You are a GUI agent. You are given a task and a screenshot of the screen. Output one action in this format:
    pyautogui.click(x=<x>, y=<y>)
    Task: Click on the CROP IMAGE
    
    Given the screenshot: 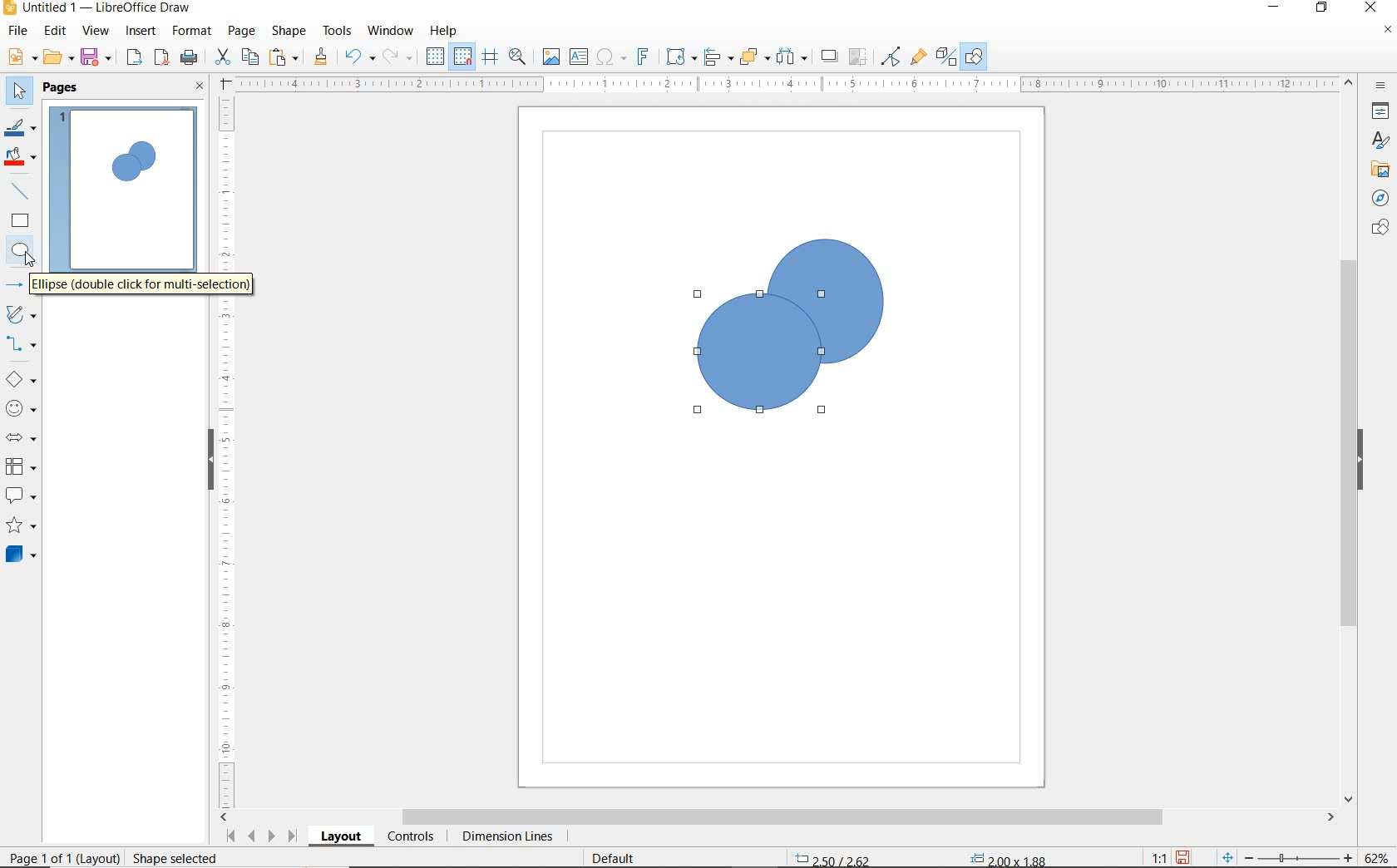 What is the action you would take?
    pyautogui.click(x=857, y=57)
    